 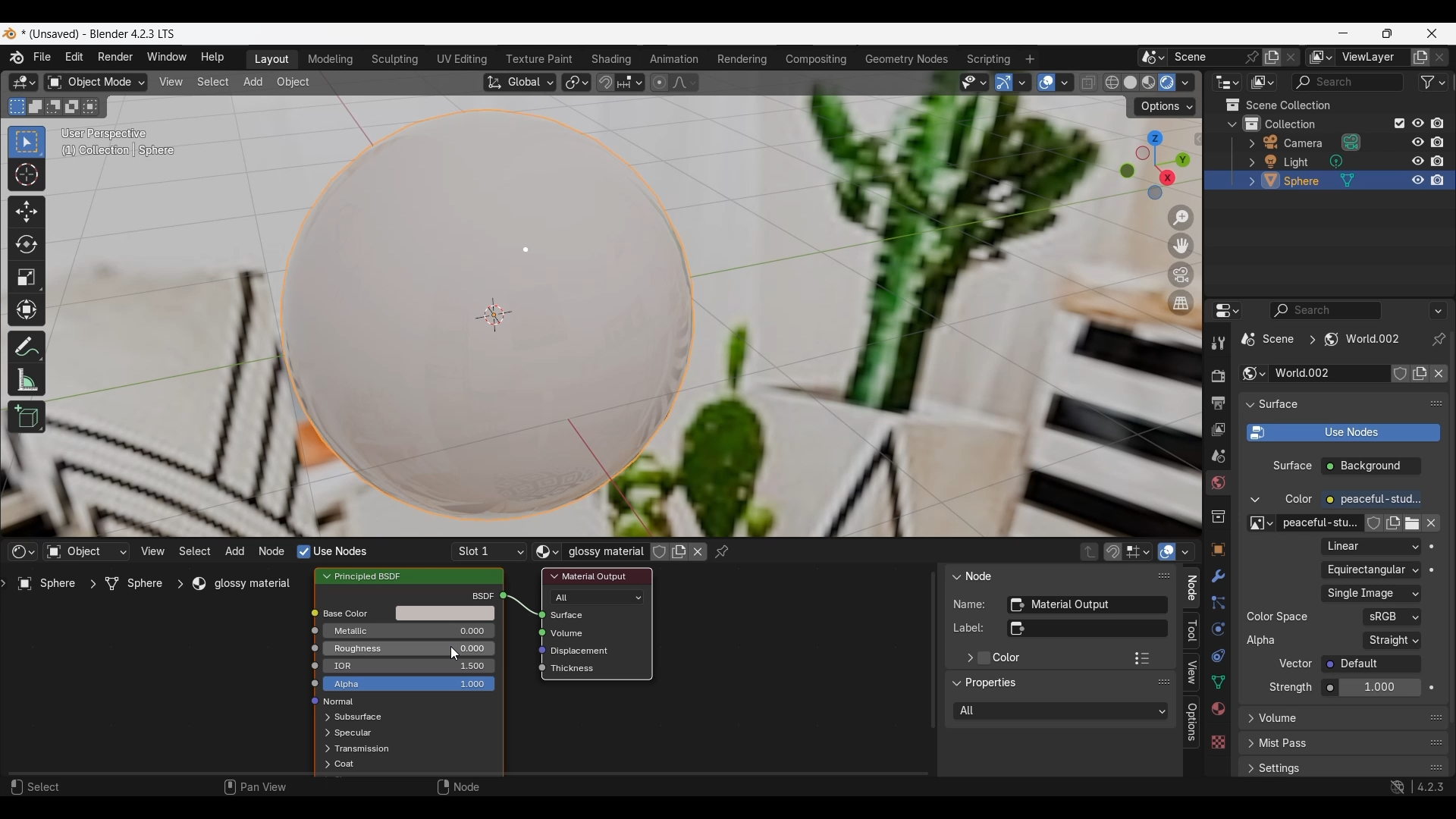 I want to click on Move, so click(x=27, y=212).